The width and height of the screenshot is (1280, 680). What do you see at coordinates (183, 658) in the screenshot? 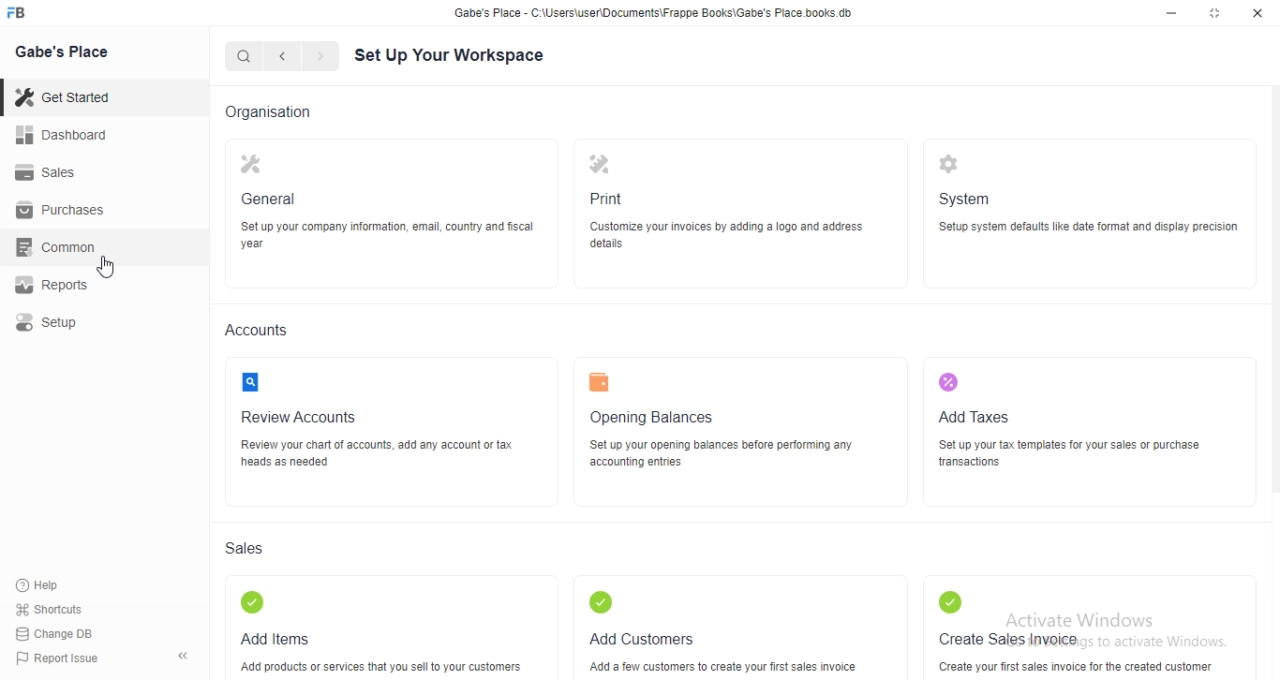
I see `hide` at bounding box center [183, 658].